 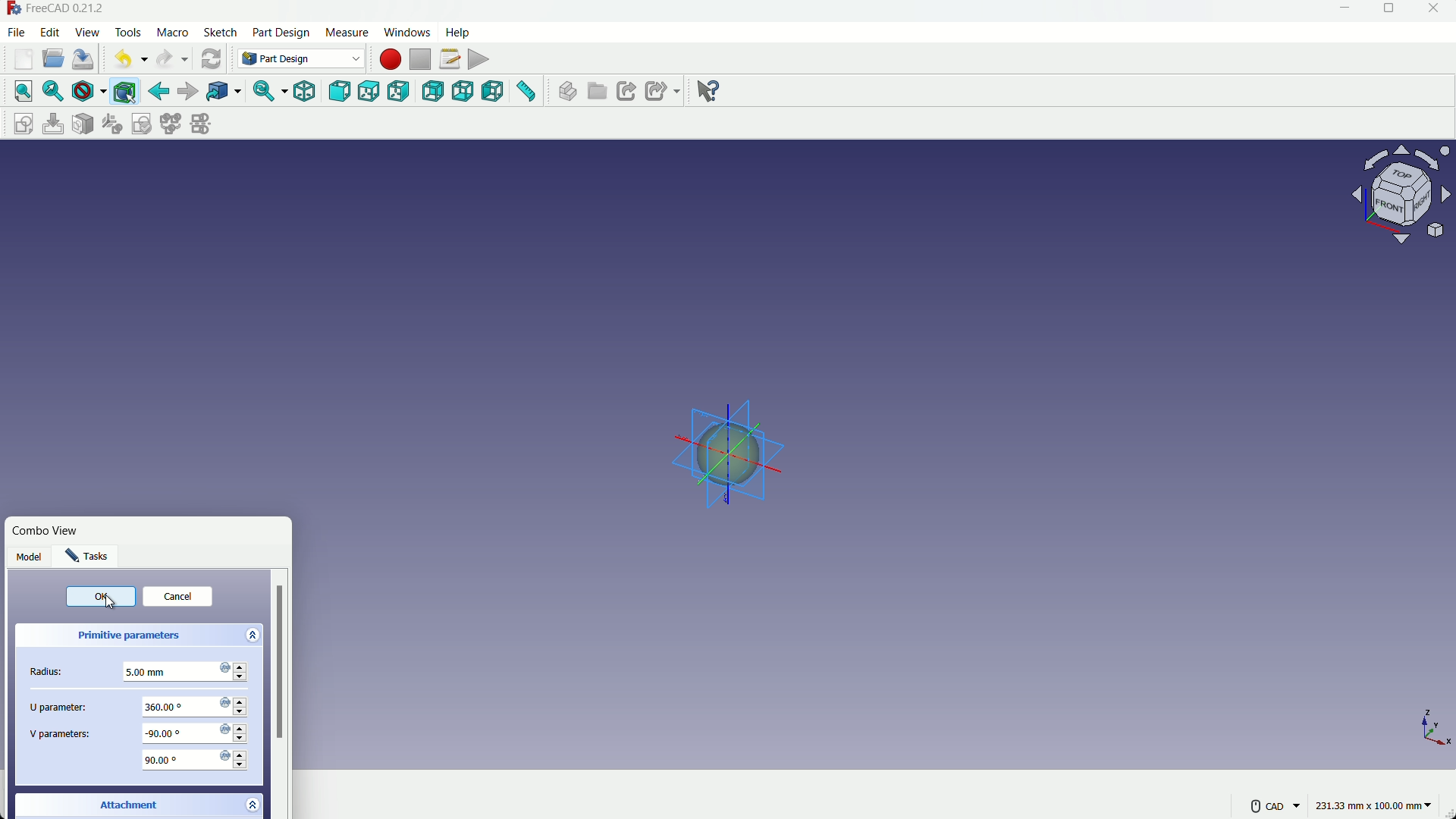 I want to click on sync view, so click(x=262, y=92).